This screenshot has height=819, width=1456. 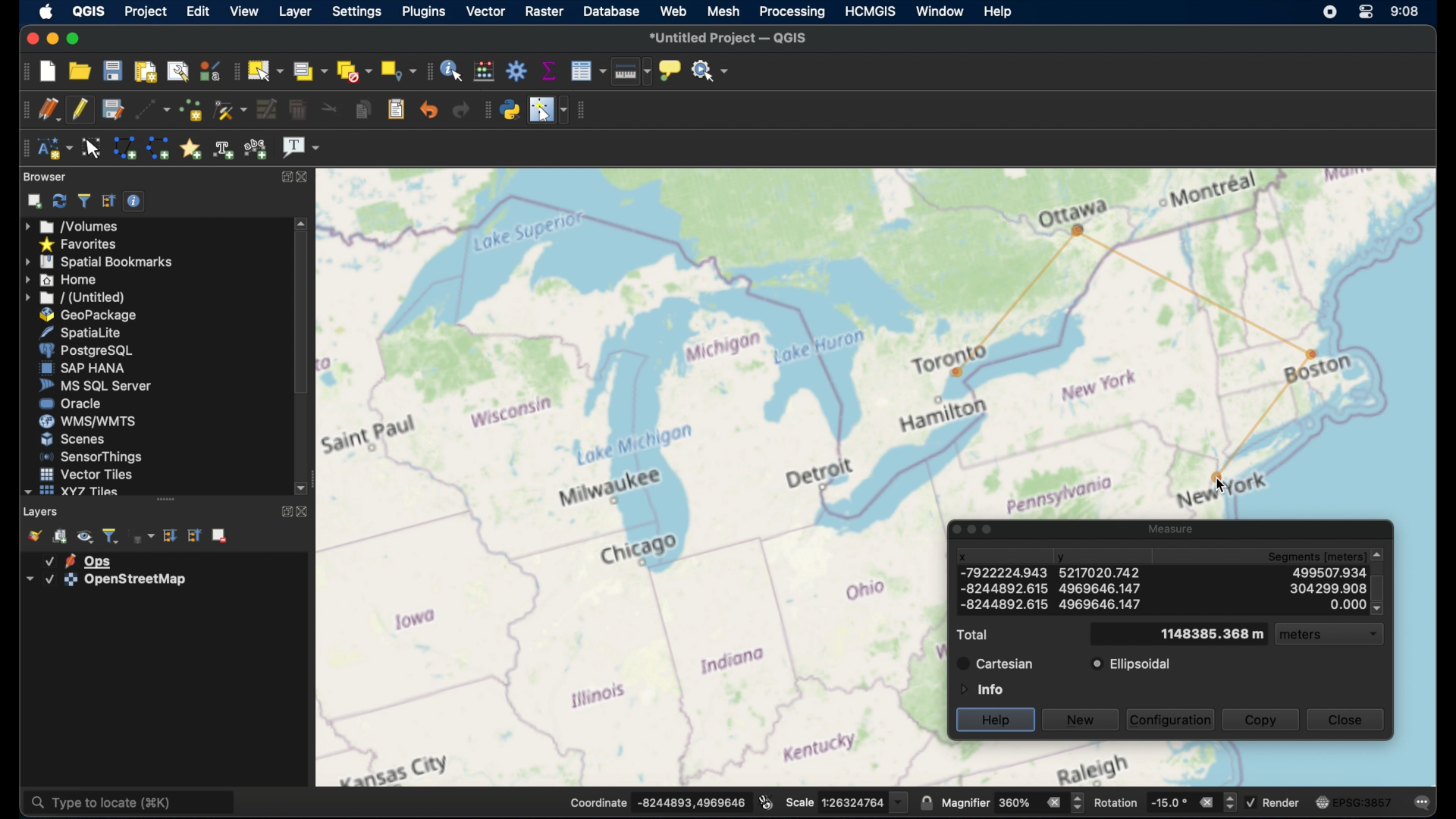 I want to click on comments, so click(x=1423, y=801).